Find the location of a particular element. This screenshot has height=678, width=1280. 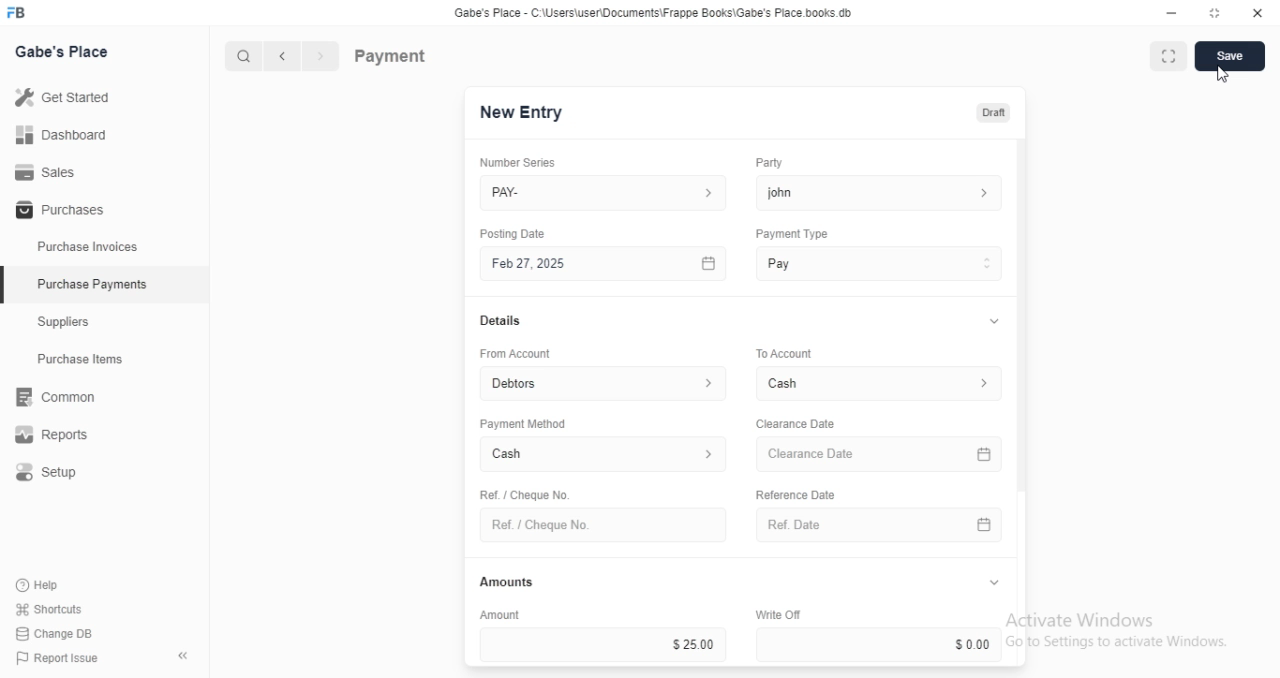

Change DB is located at coordinates (52, 632).